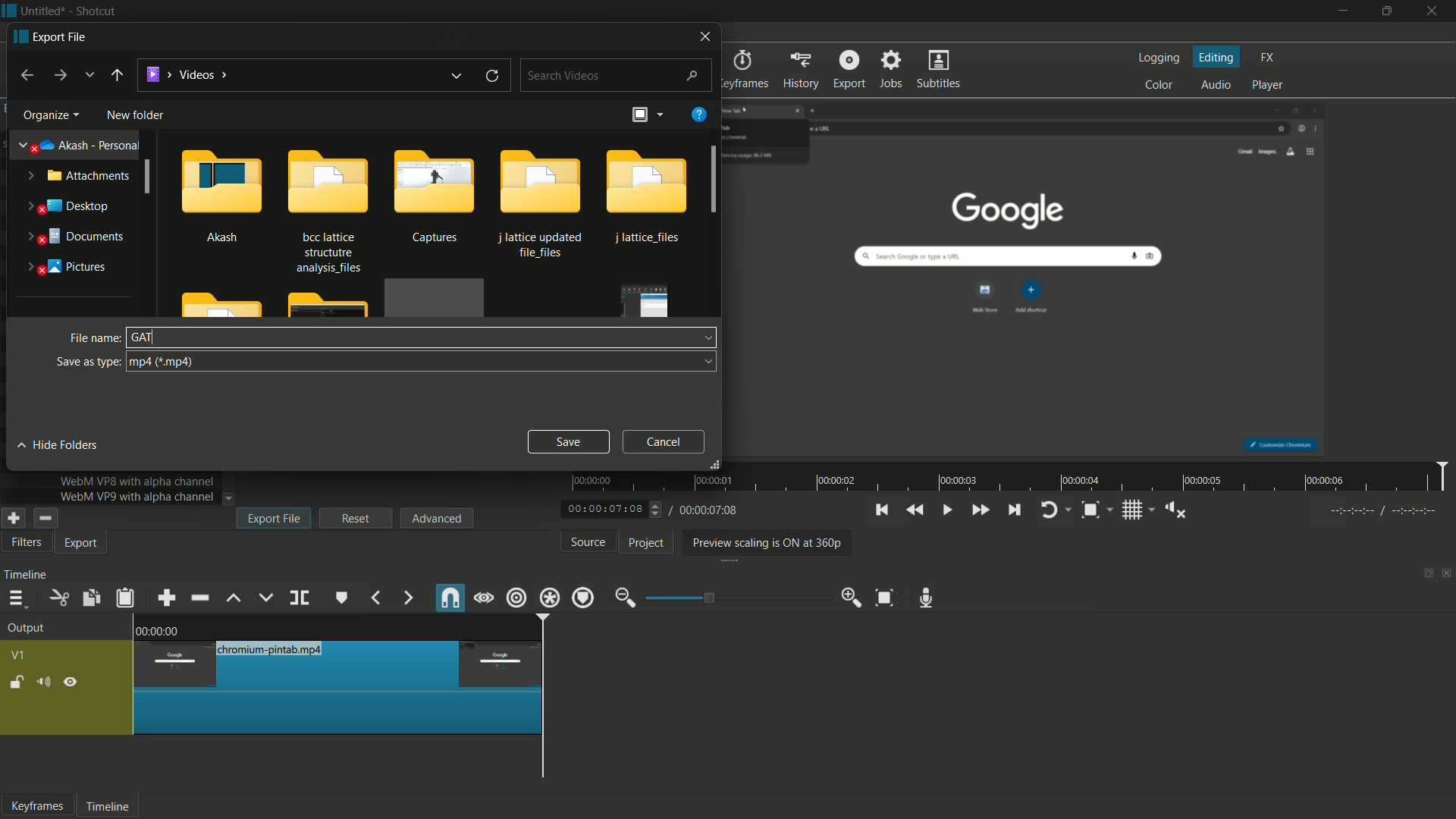 Image resolution: width=1456 pixels, height=819 pixels. Describe the element at coordinates (59, 444) in the screenshot. I see `hide folders` at that location.